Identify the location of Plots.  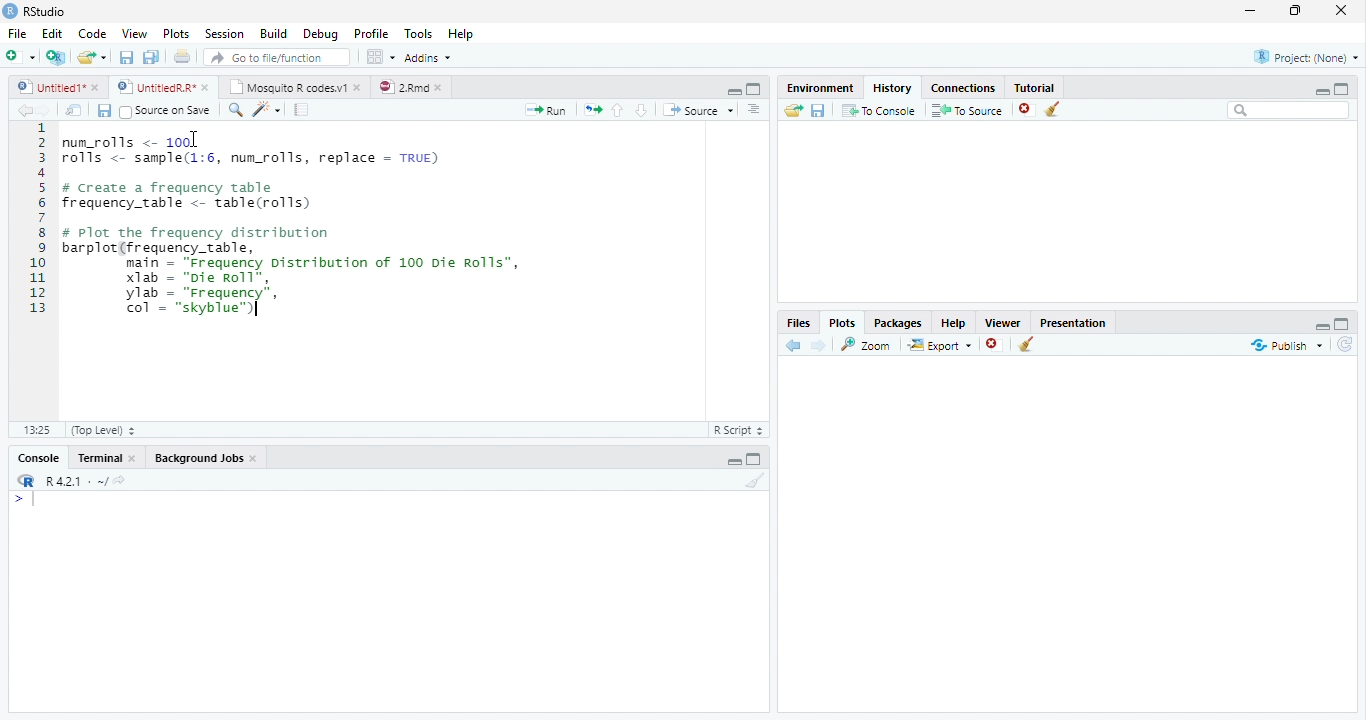
(843, 321).